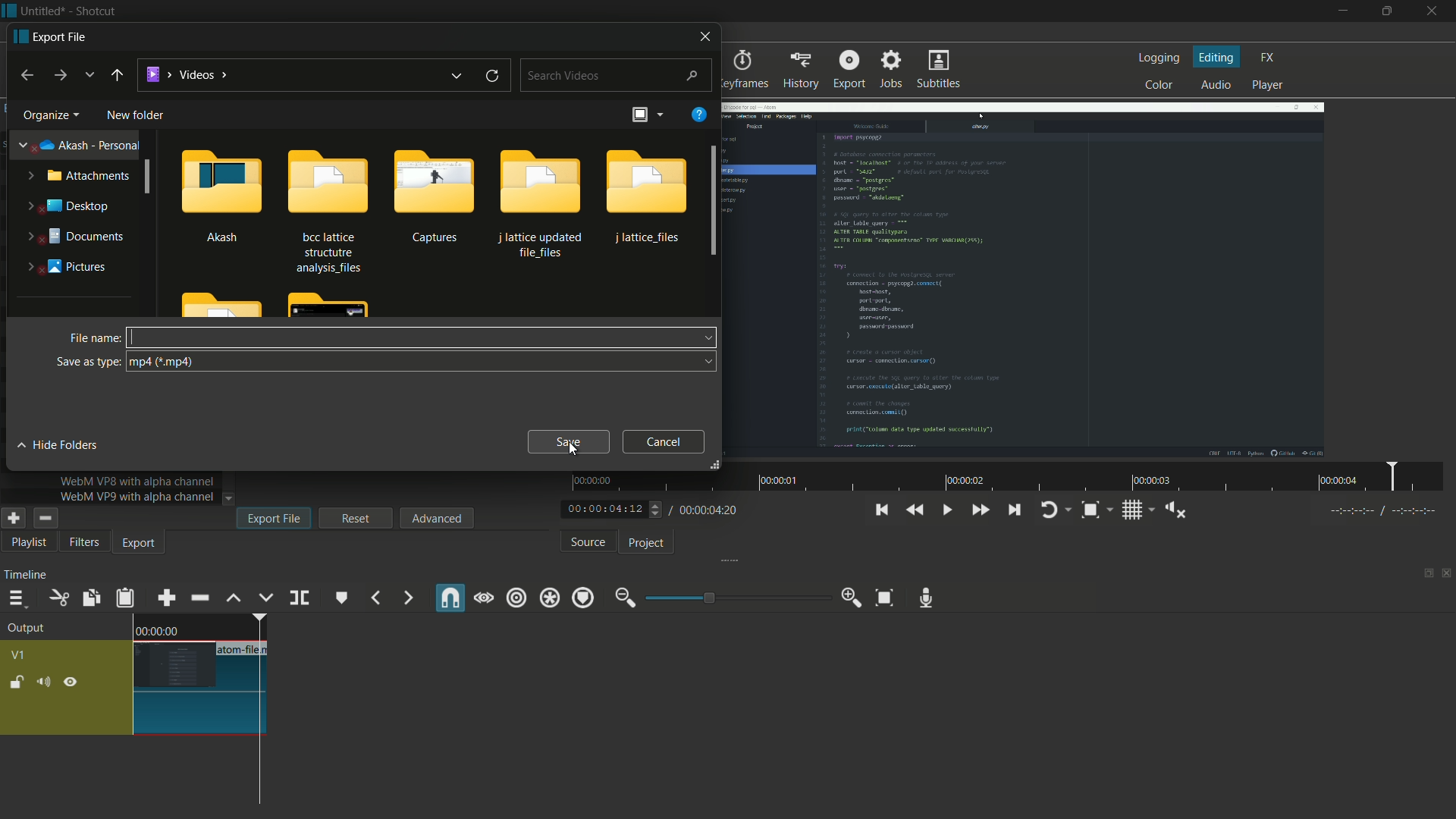 Image resolution: width=1456 pixels, height=819 pixels. Describe the element at coordinates (623, 598) in the screenshot. I see `zoom out` at that location.